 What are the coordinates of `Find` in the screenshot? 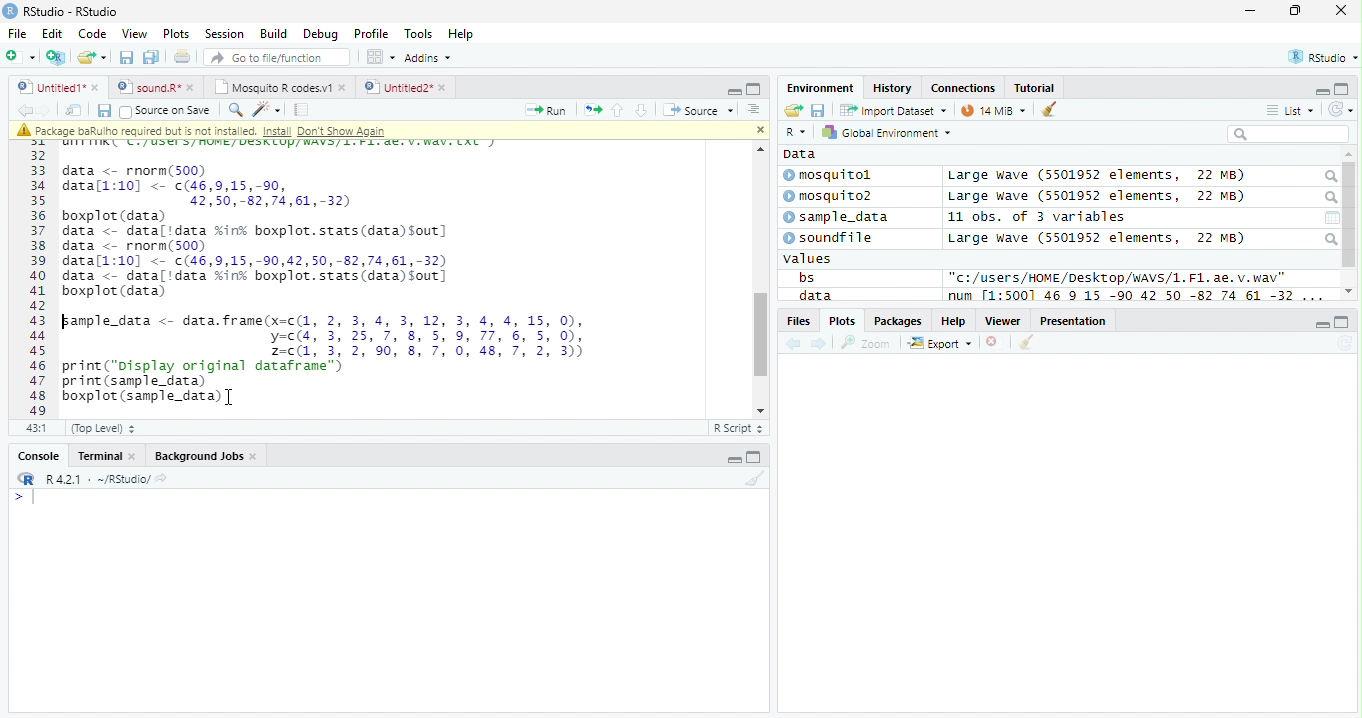 It's located at (235, 110).